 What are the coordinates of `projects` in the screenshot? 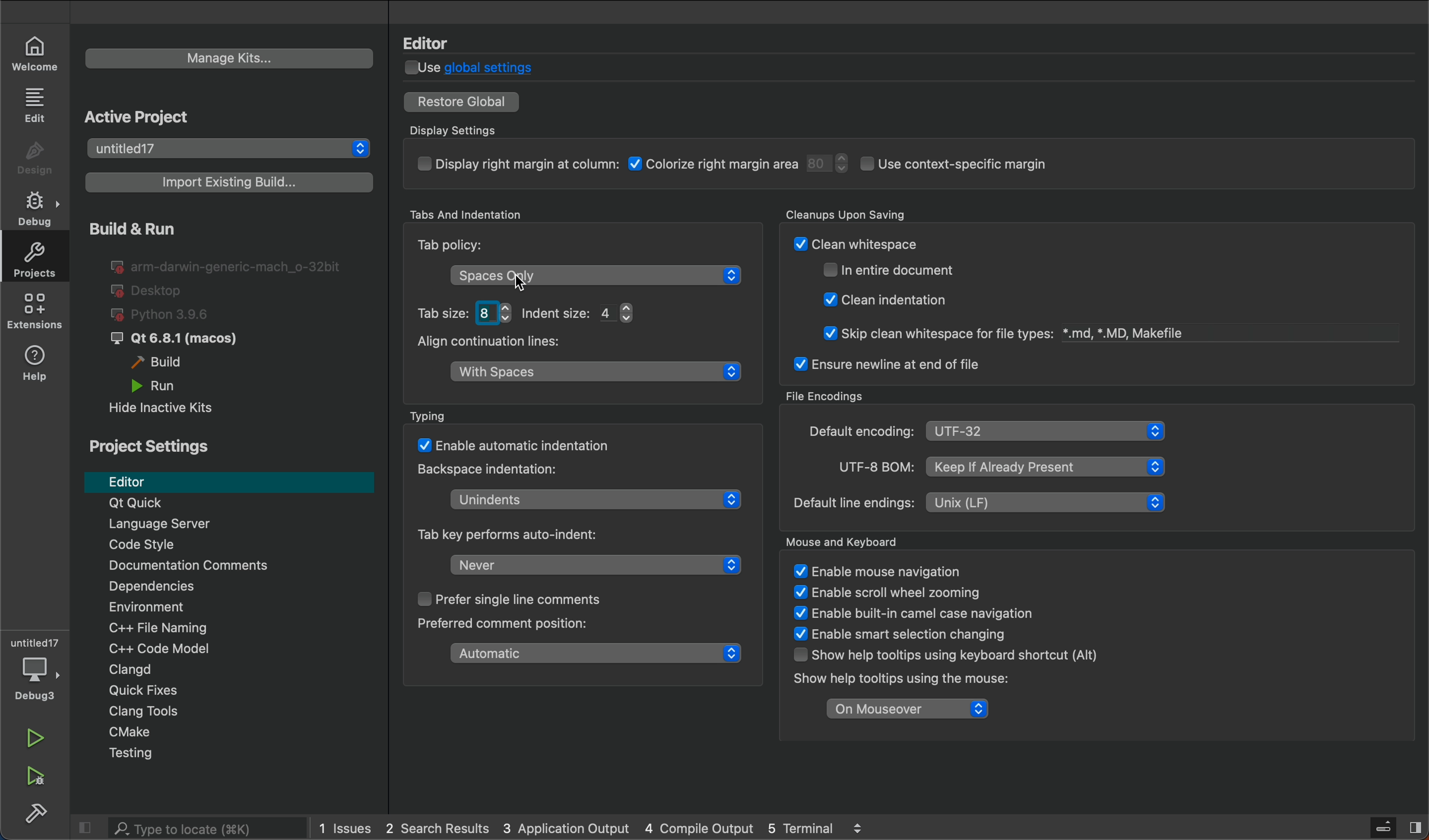 It's located at (32, 257).